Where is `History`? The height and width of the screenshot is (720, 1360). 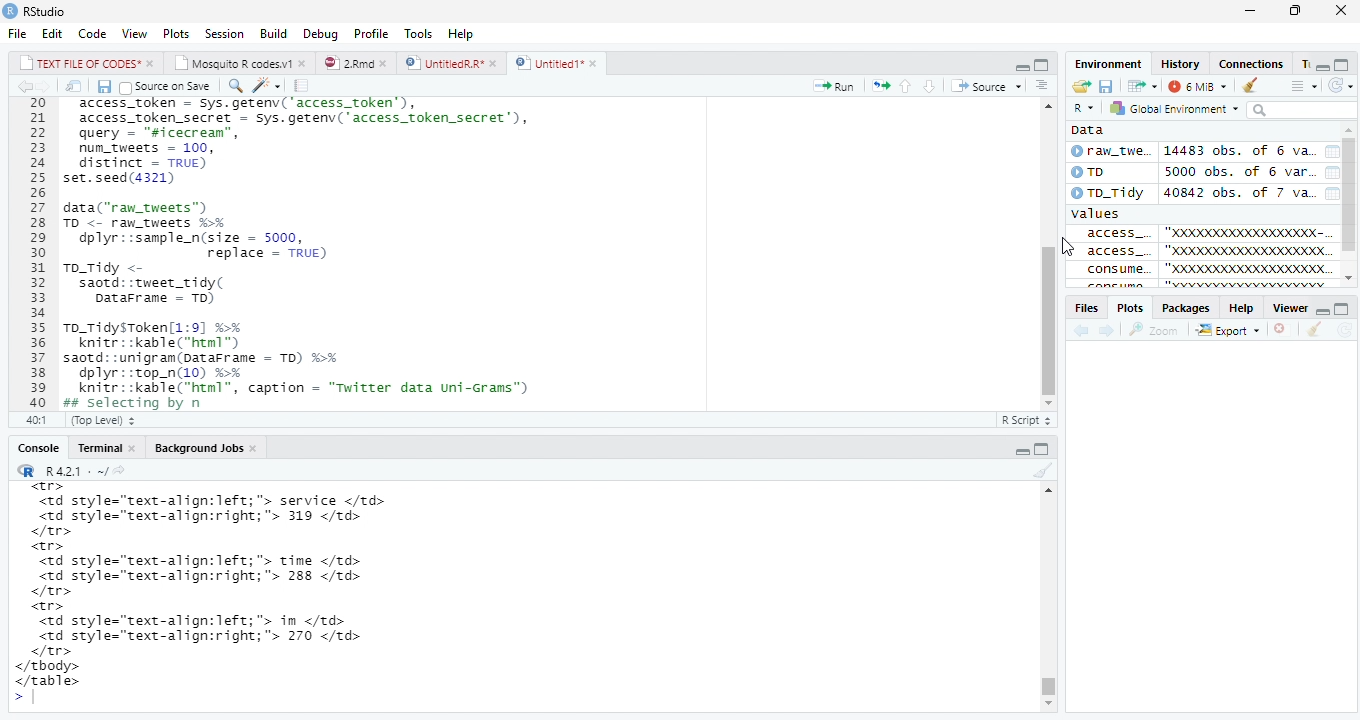
History is located at coordinates (1179, 62).